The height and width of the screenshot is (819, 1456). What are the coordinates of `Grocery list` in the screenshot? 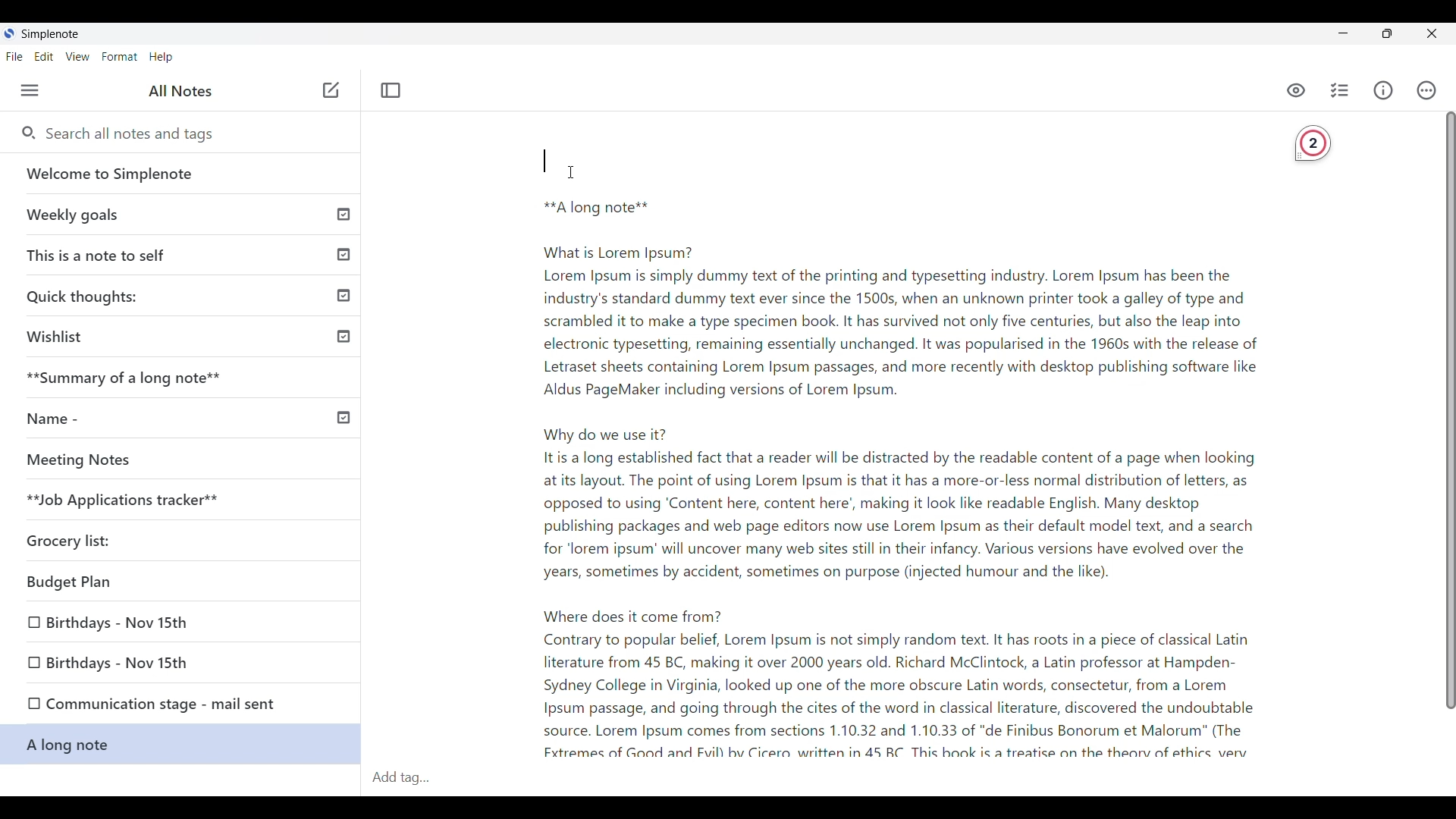 It's located at (92, 534).